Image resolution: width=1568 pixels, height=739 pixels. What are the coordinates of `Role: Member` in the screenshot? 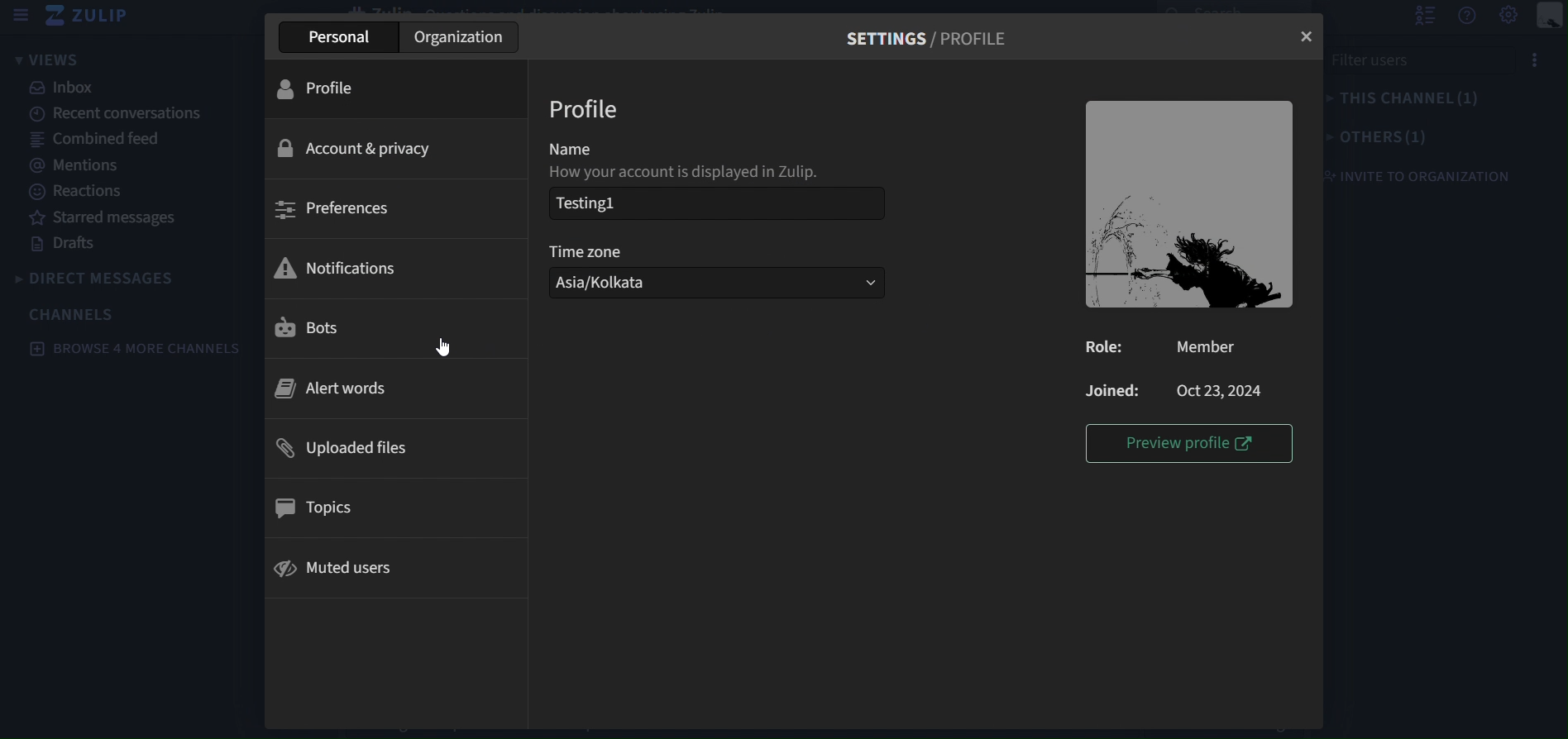 It's located at (1172, 348).